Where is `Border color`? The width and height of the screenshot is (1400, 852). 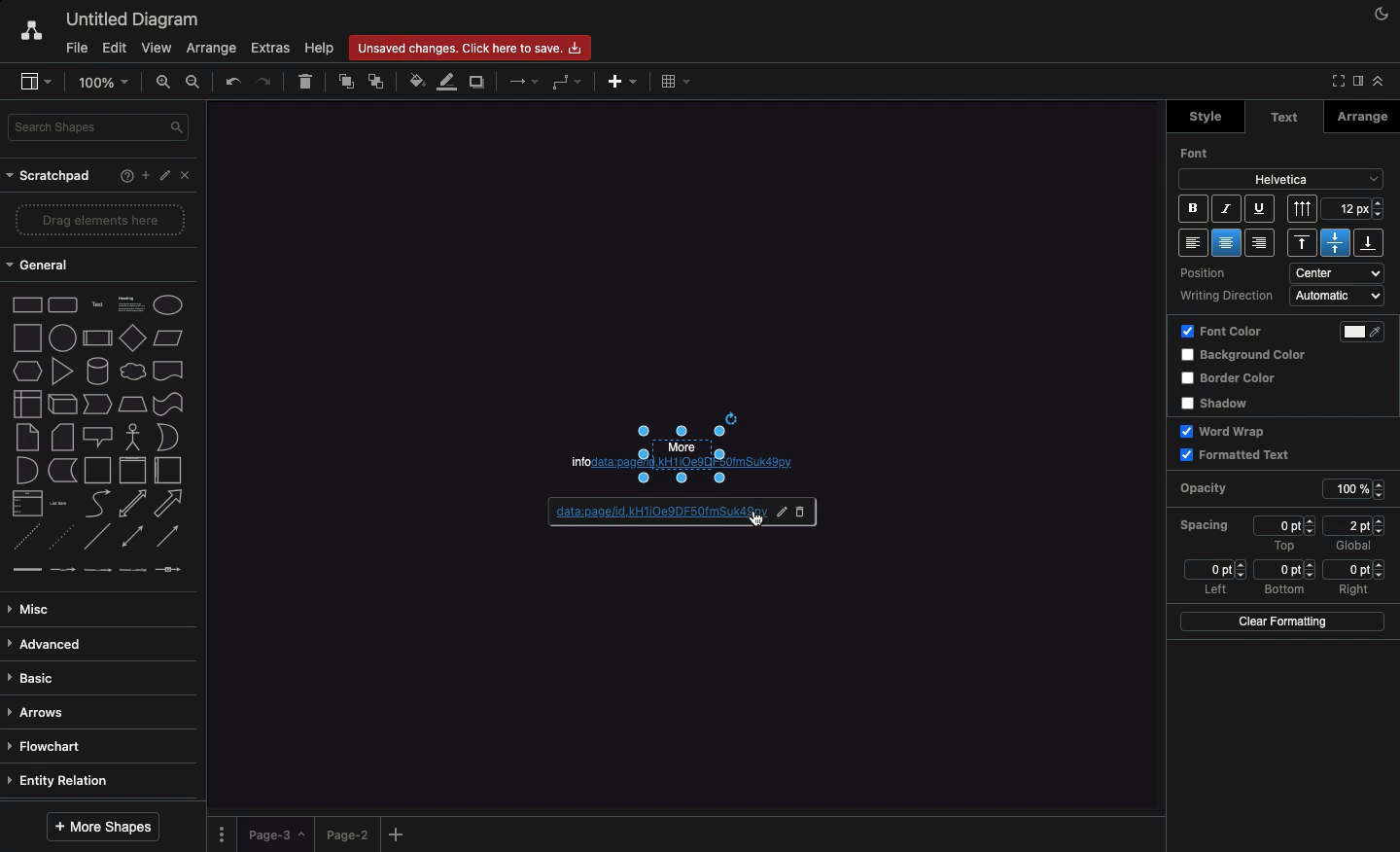 Border color is located at coordinates (1232, 379).